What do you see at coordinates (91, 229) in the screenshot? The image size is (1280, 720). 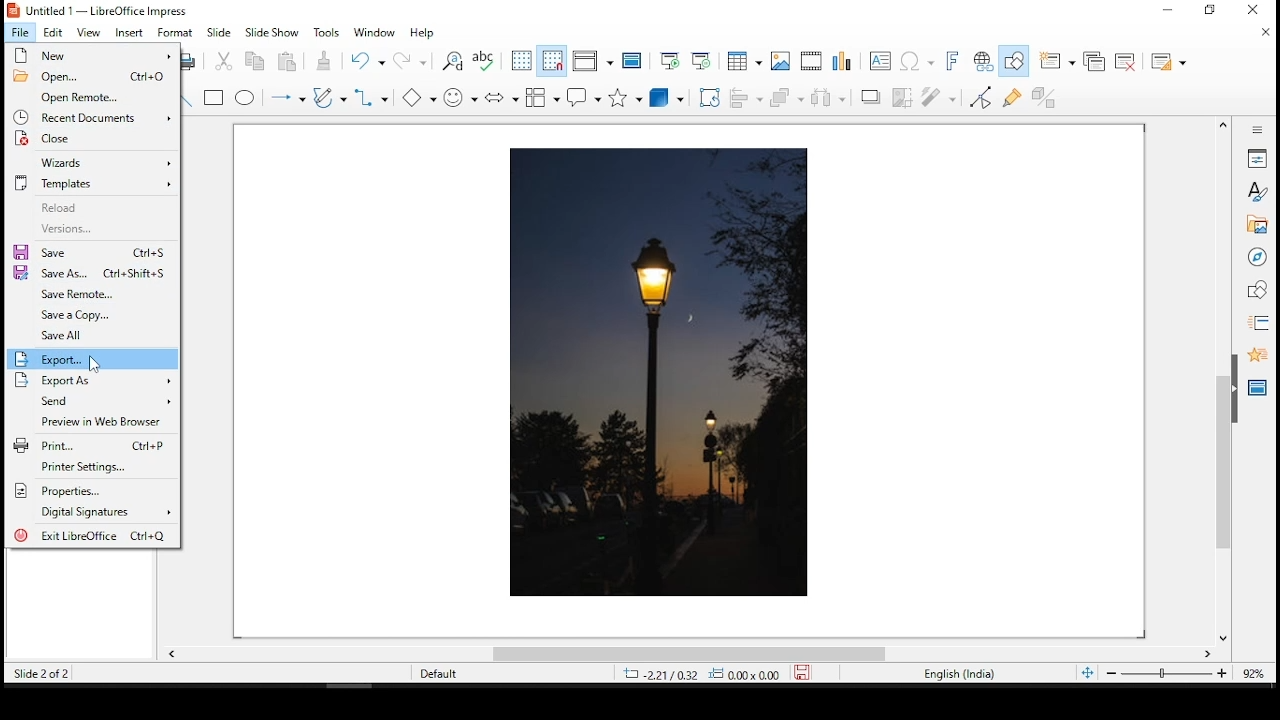 I see `versions` at bounding box center [91, 229].